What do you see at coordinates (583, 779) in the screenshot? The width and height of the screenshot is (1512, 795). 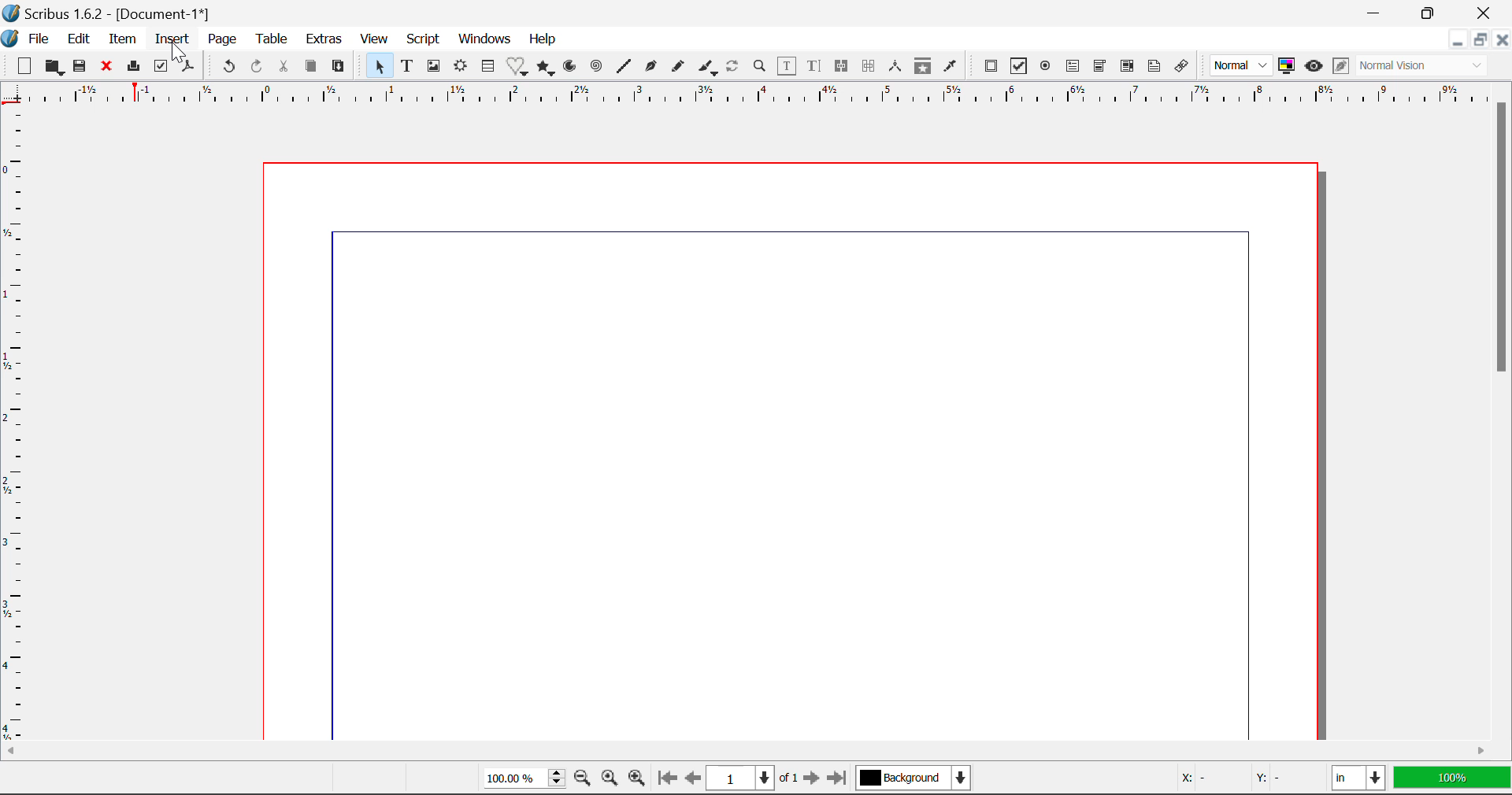 I see `Zoom Out` at bounding box center [583, 779].